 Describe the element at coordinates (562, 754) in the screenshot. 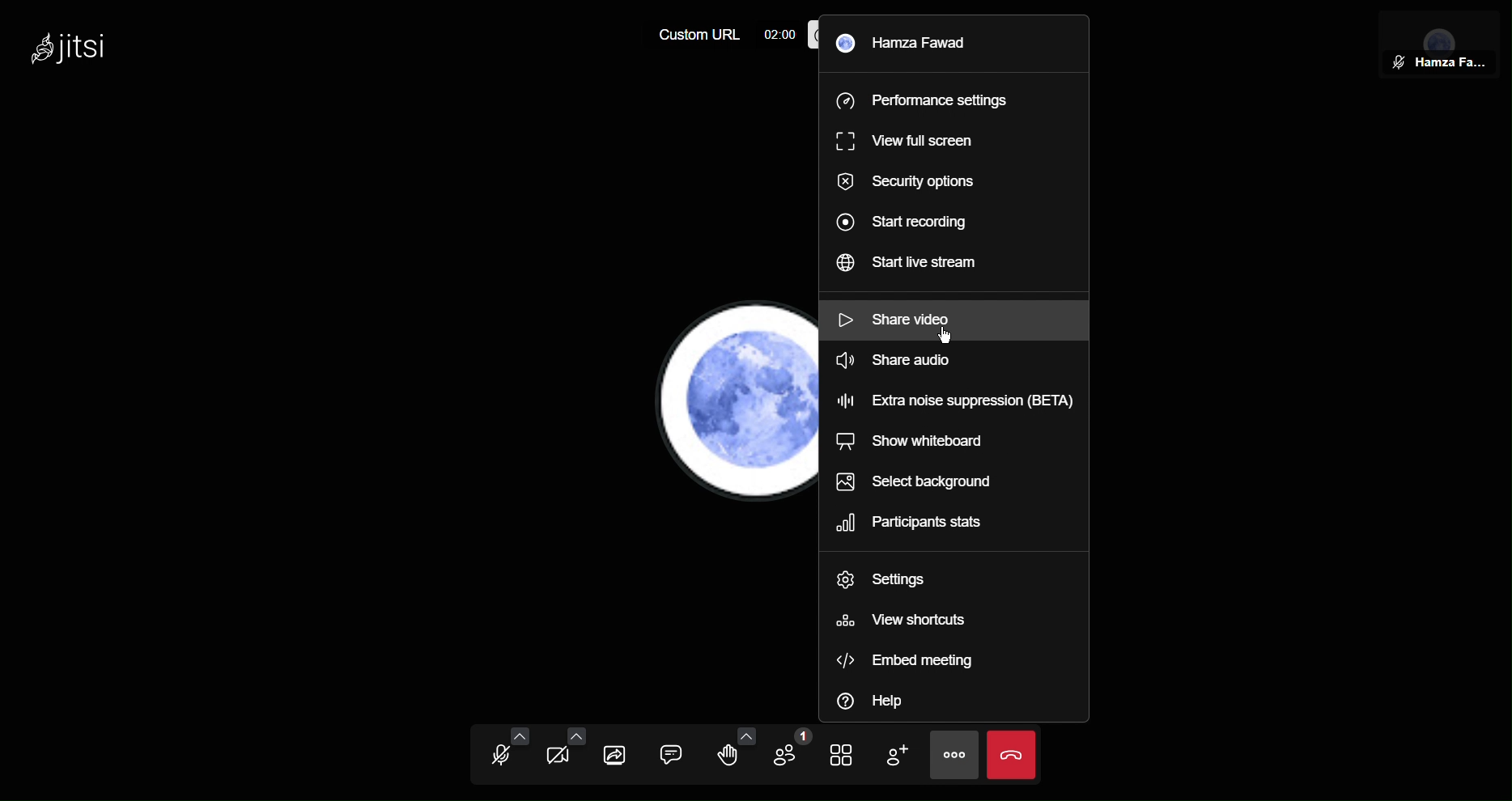

I see `Video` at that location.